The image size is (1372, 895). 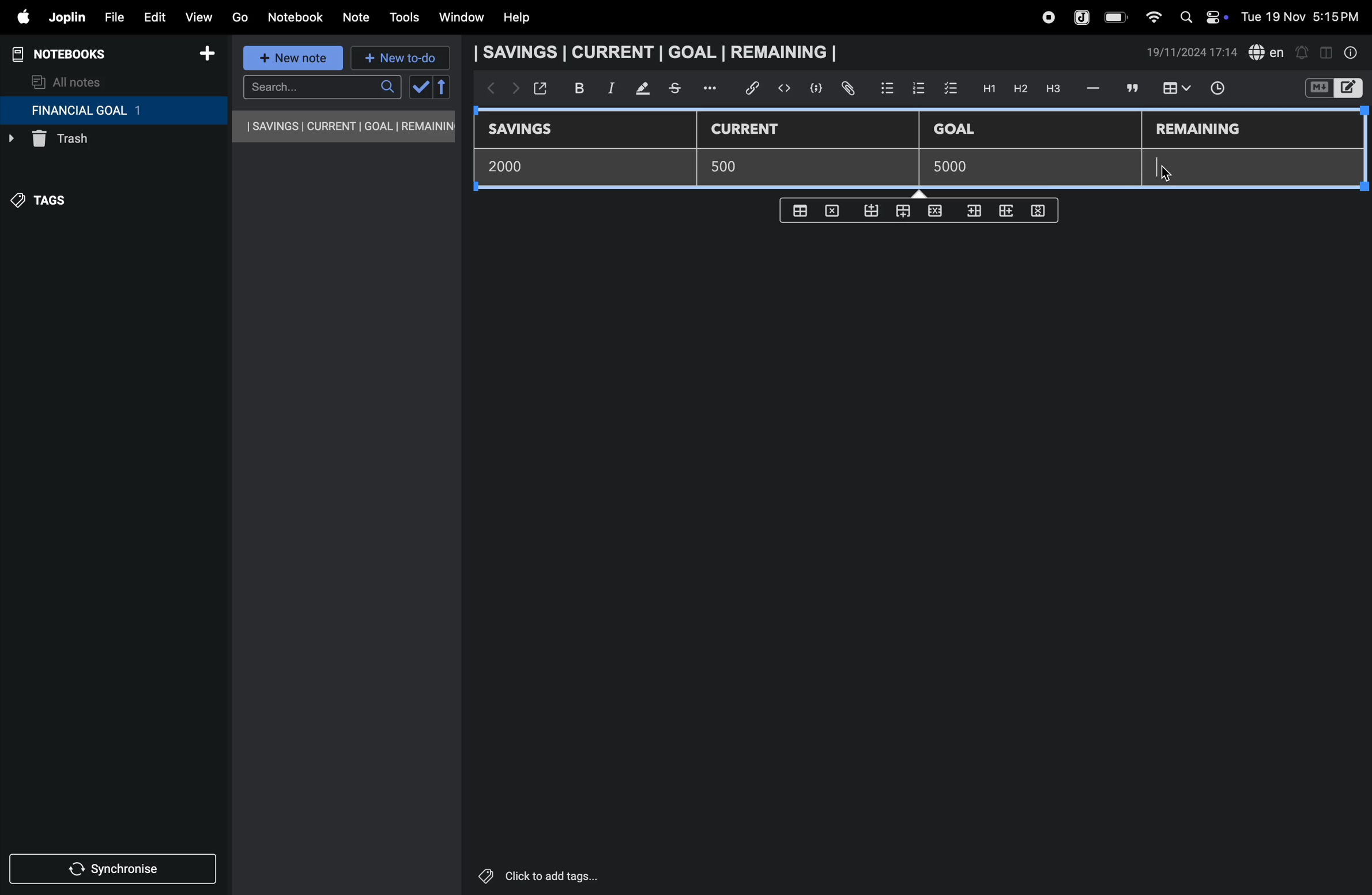 What do you see at coordinates (1192, 52) in the screenshot?
I see `date and time` at bounding box center [1192, 52].